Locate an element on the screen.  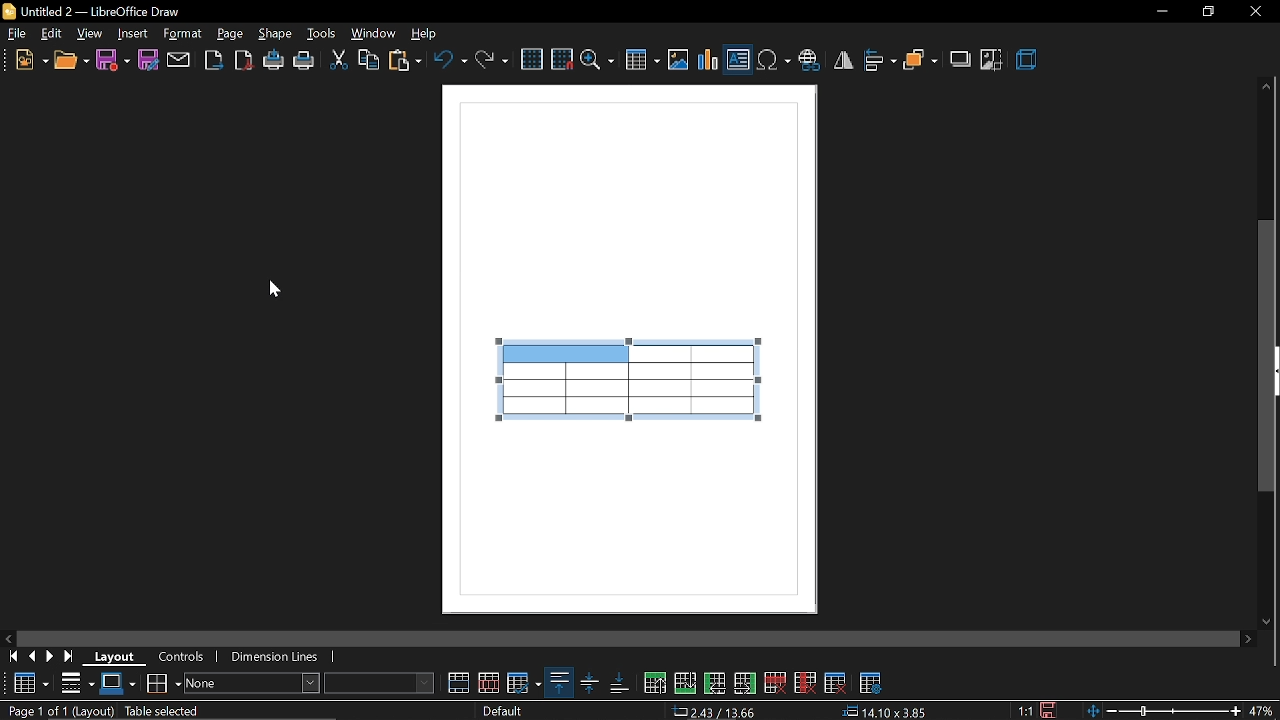
align center is located at coordinates (589, 683).